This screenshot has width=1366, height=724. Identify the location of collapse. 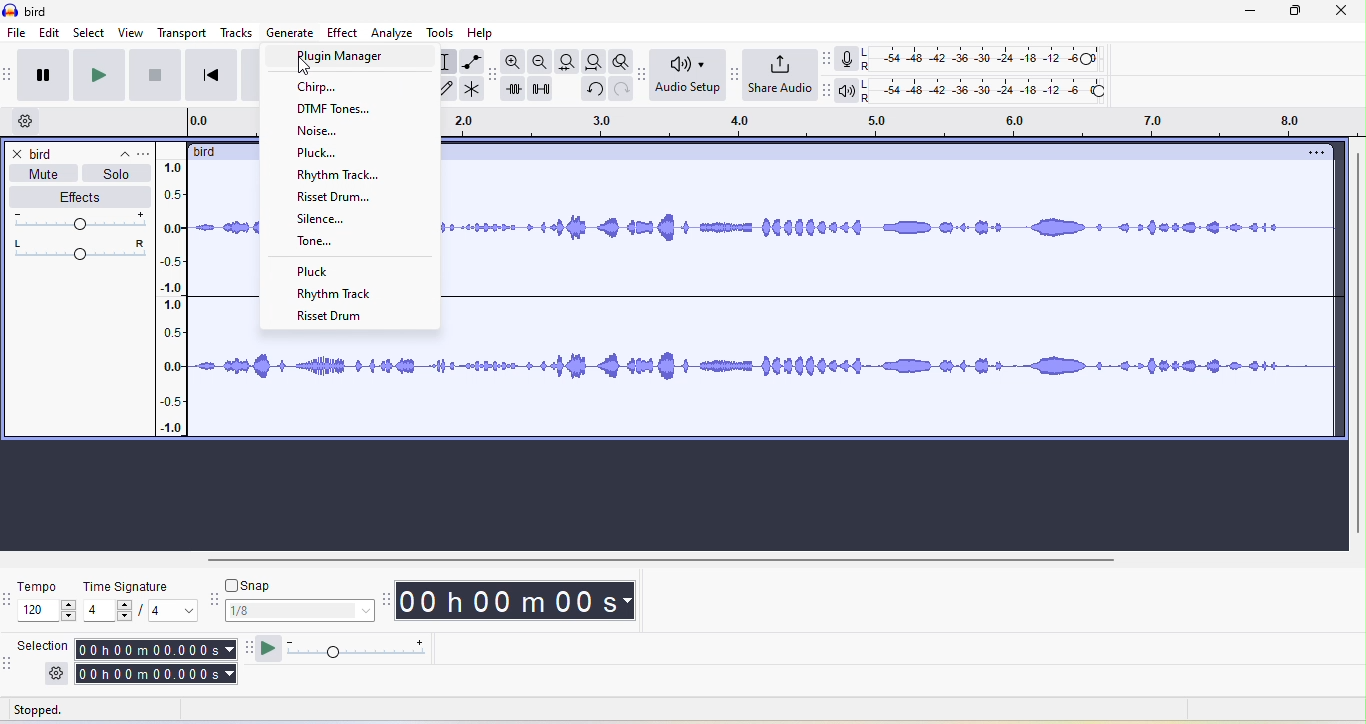
(115, 152).